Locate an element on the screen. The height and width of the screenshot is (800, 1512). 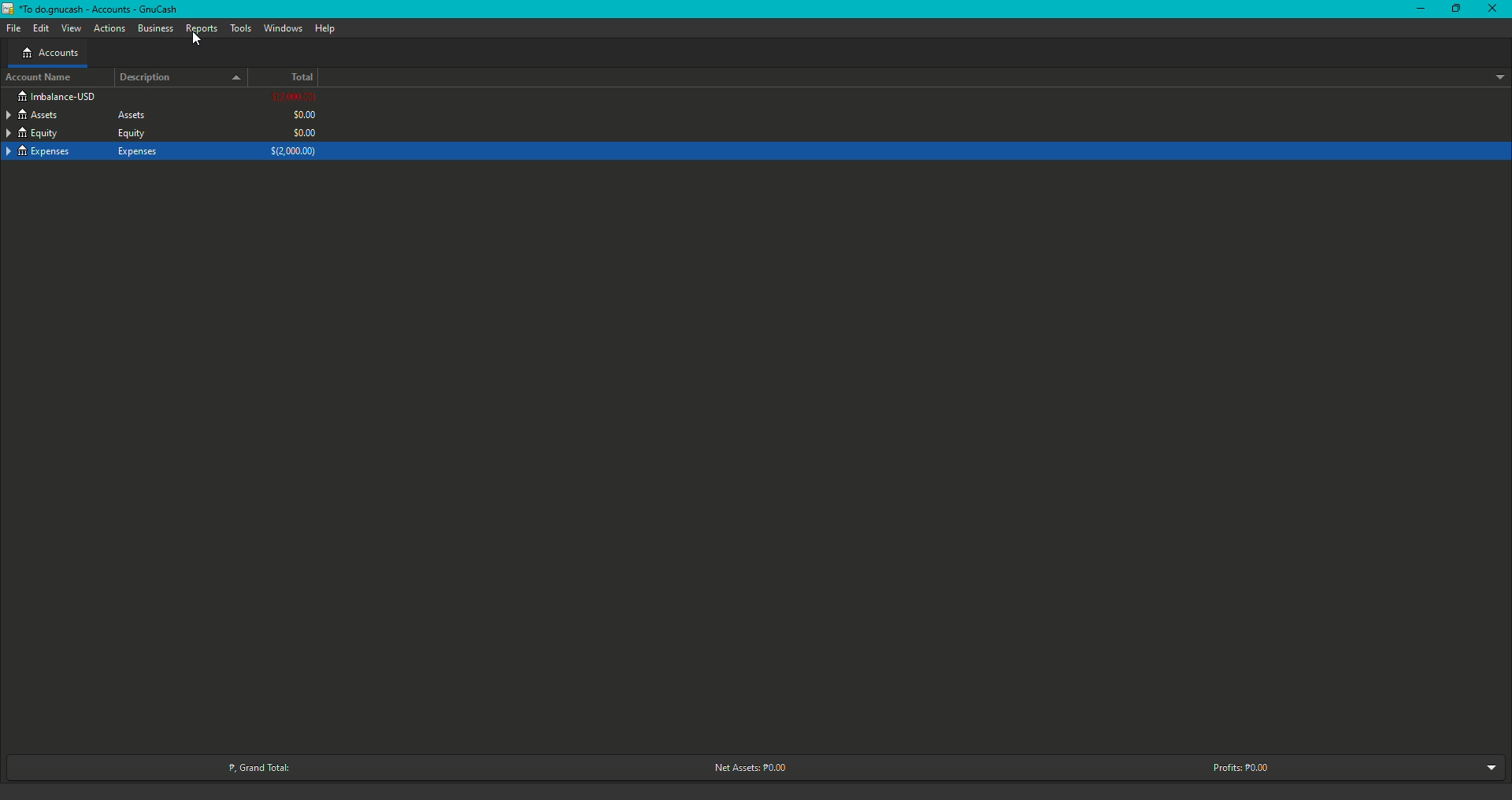
Equity is located at coordinates (87, 133).